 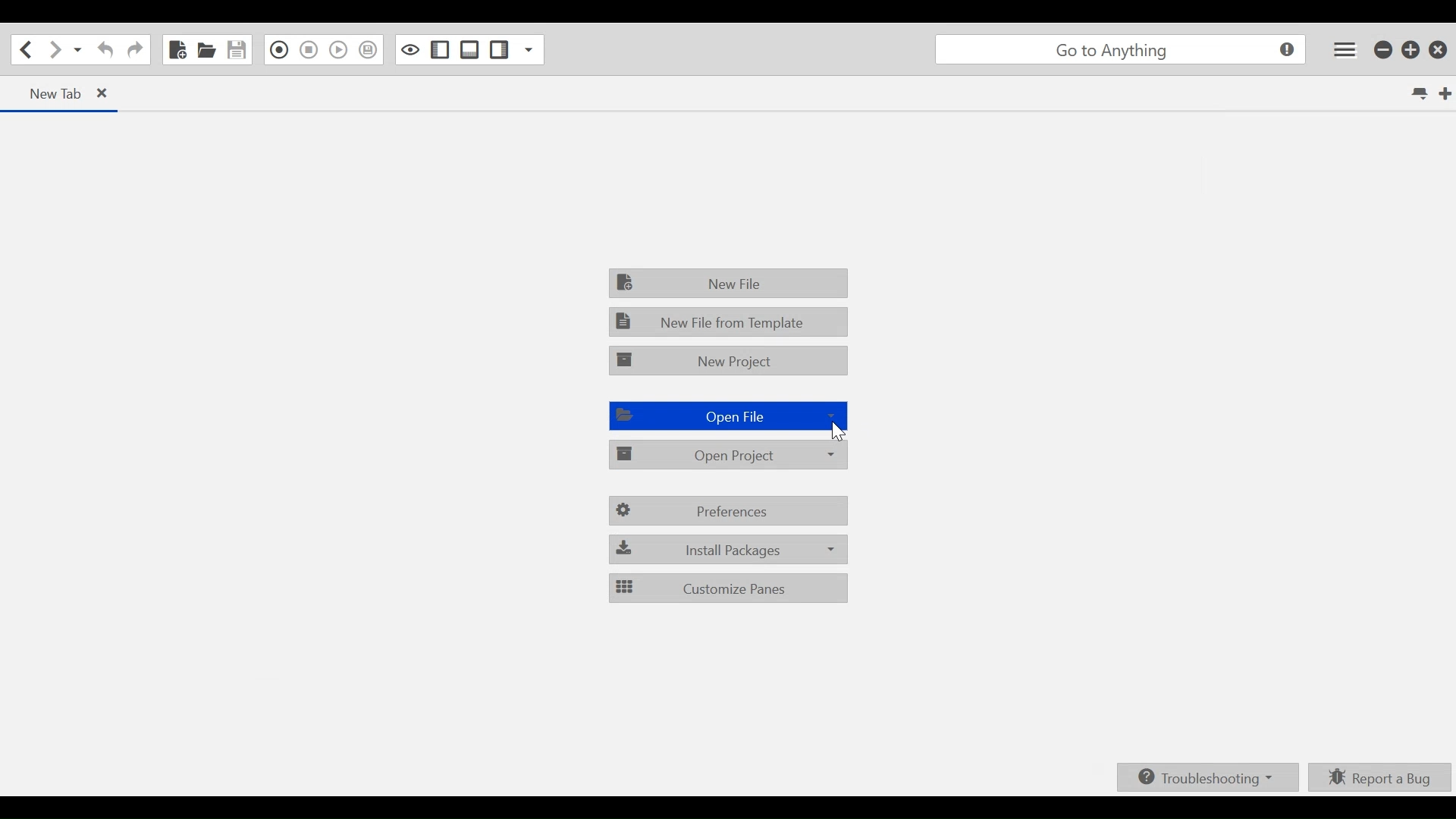 I want to click on Save Macro to Toolbox as Superscript, so click(x=369, y=50).